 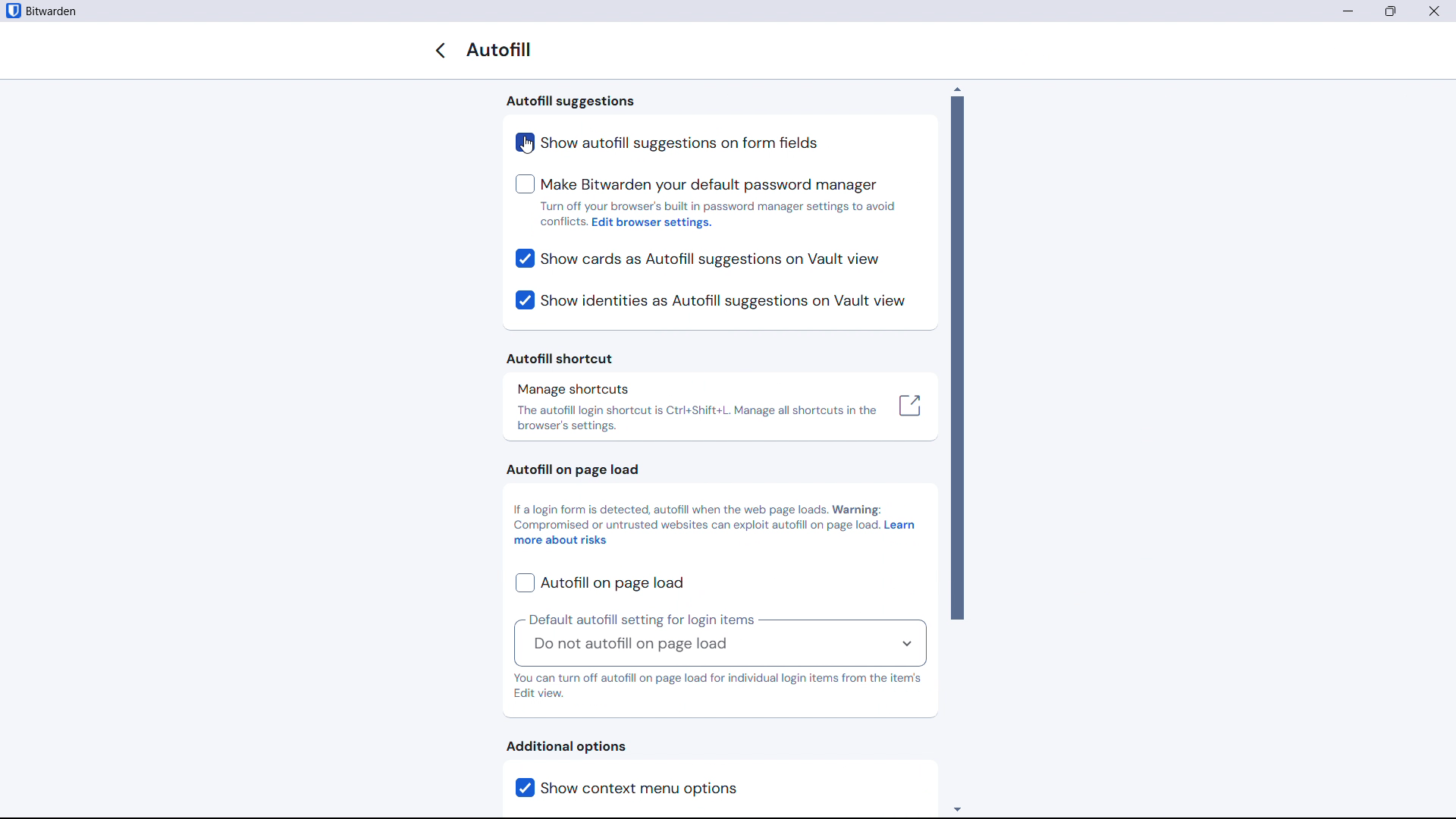 What do you see at coordinates (12, 11) in the screenshot?
I see `logo` at bounding box center [12, 11].